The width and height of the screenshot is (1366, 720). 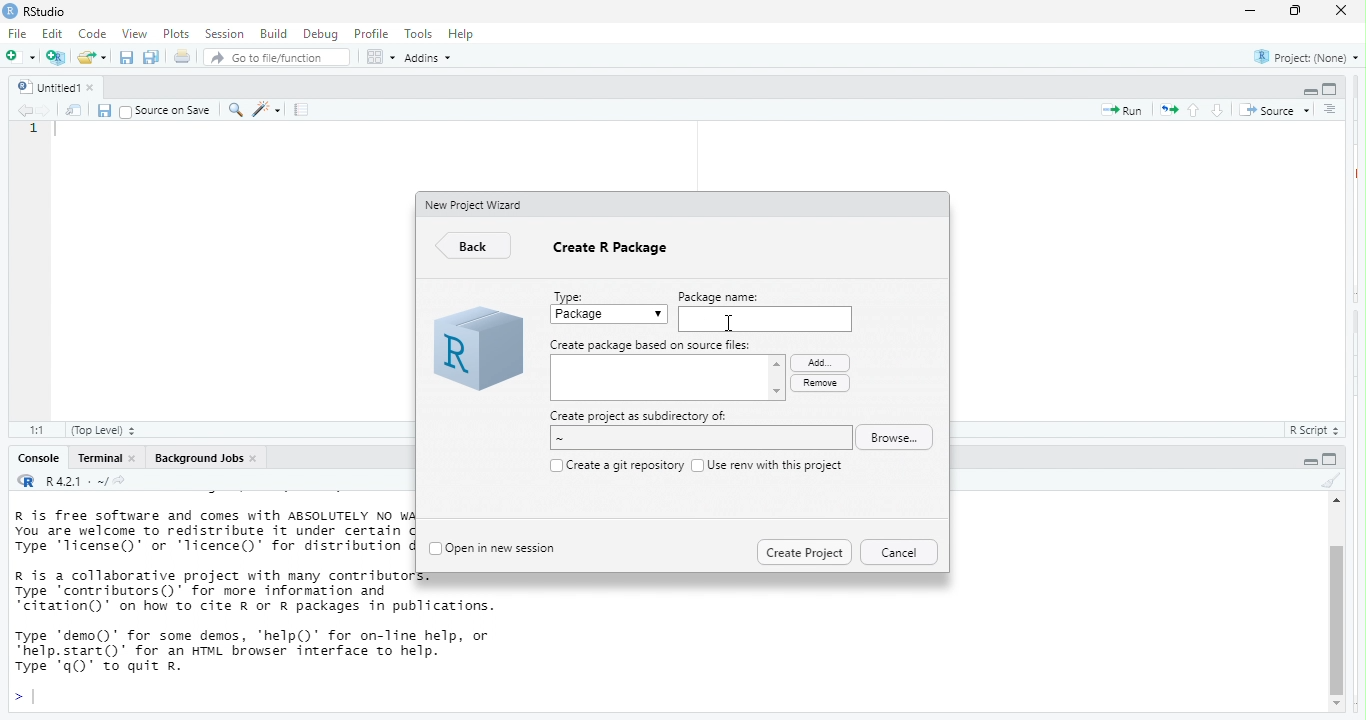 I want to click on create a project, so click(x=55, y=55).